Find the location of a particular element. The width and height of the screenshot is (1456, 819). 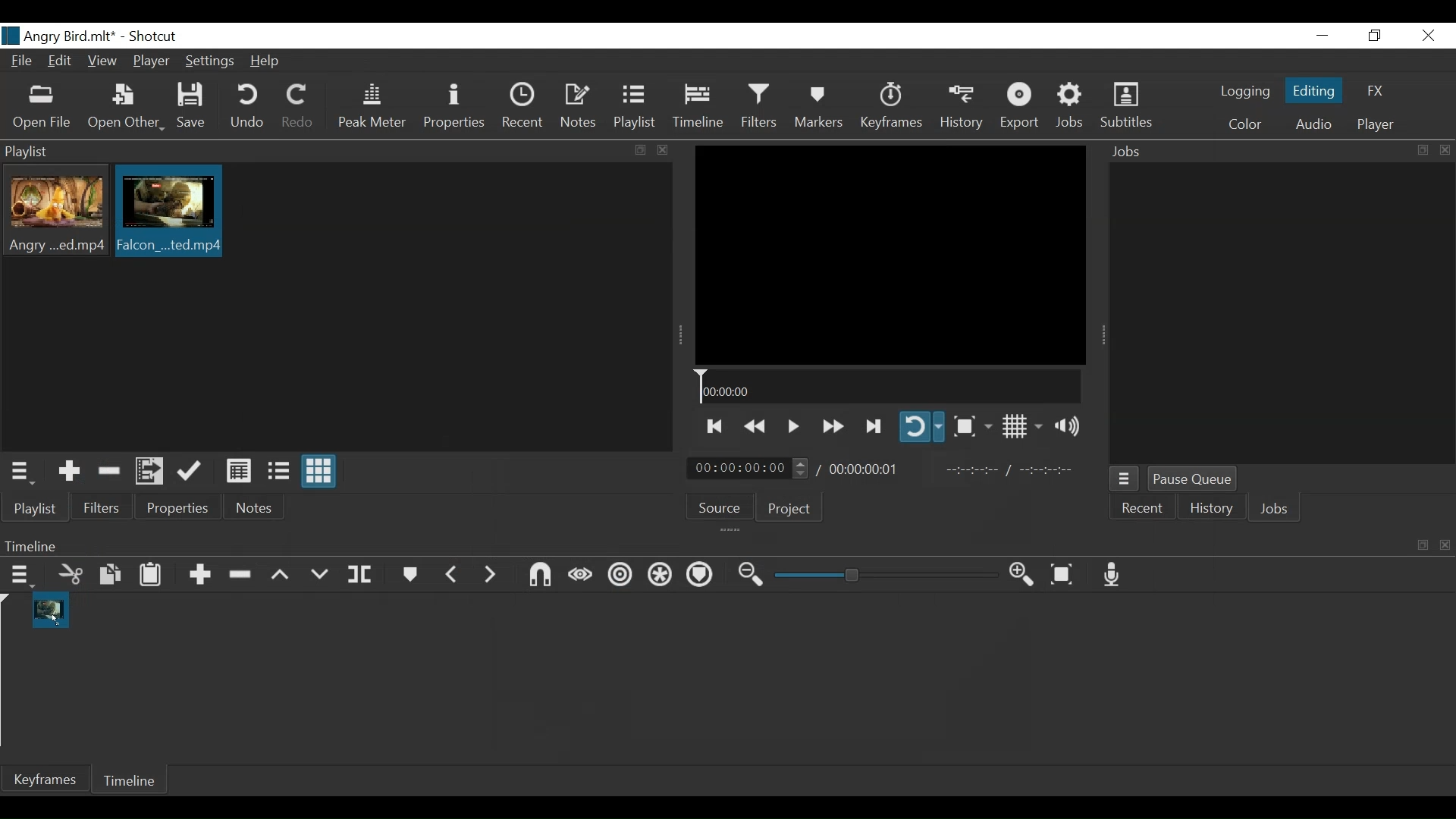

Record audio is located at coordinates (1112, 574).